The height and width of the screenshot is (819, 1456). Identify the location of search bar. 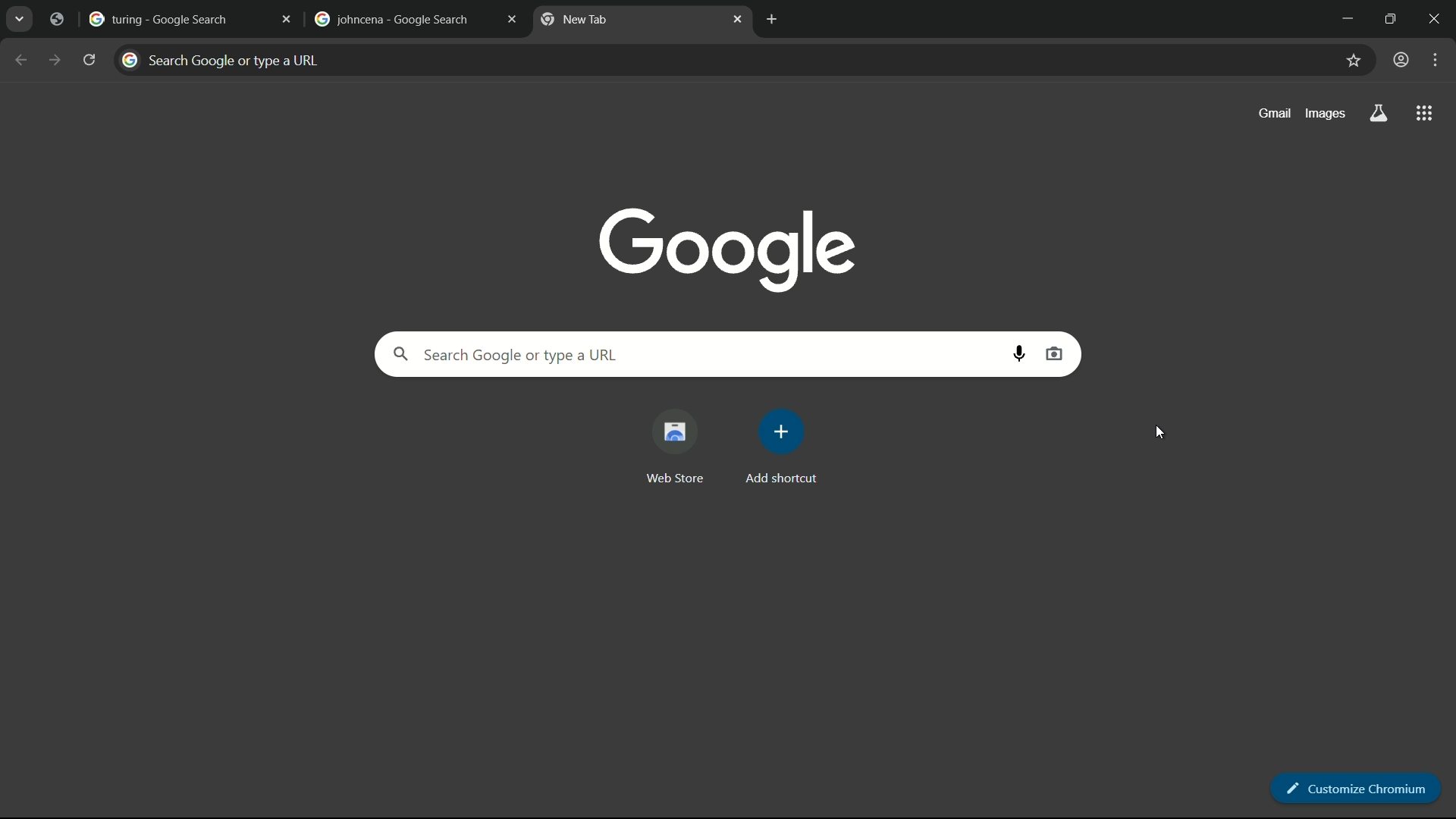
(684, 60).